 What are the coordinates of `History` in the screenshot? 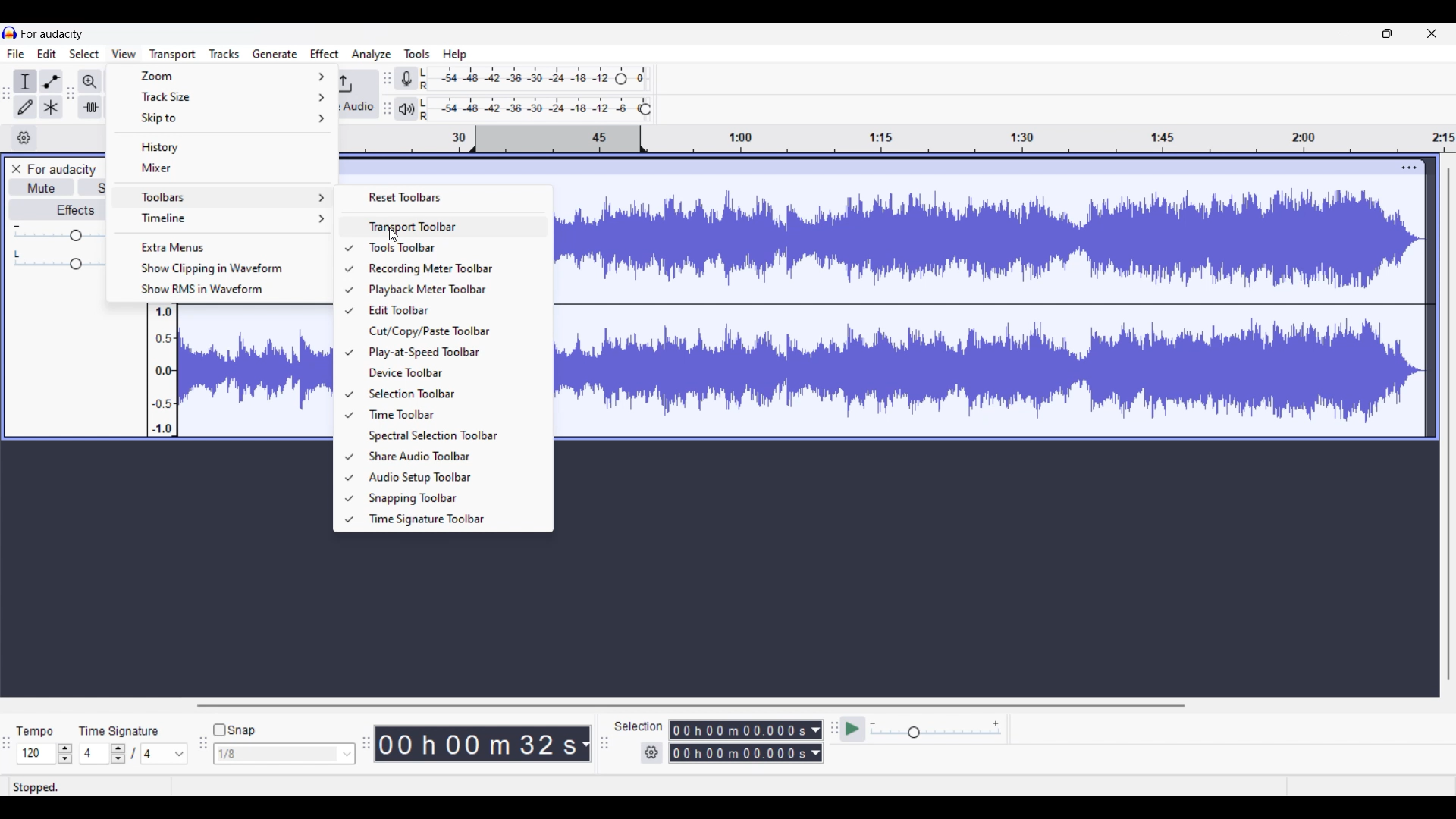 It's located at (223, 147).